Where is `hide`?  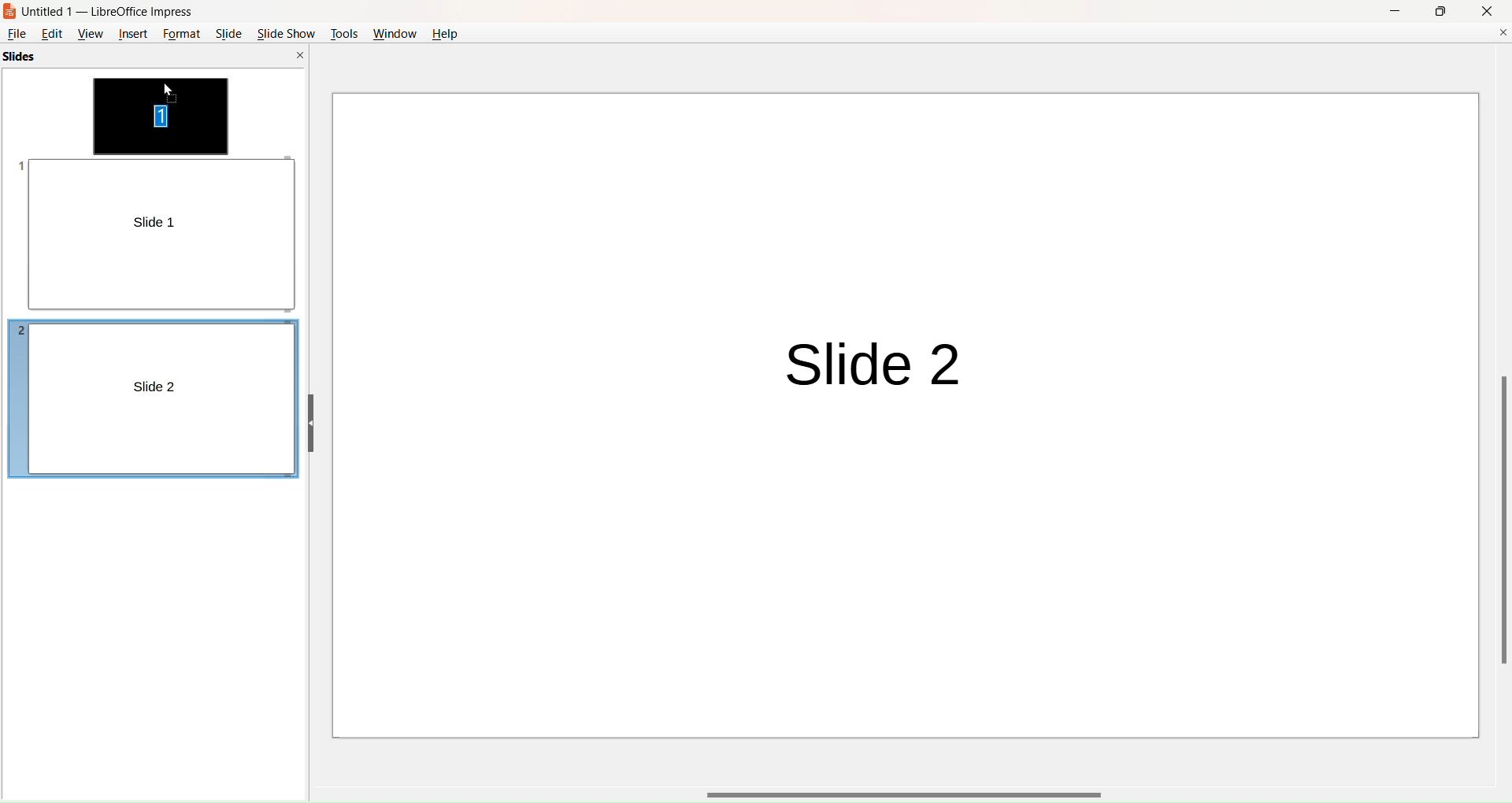
hide is located at coordinates (311, 424).